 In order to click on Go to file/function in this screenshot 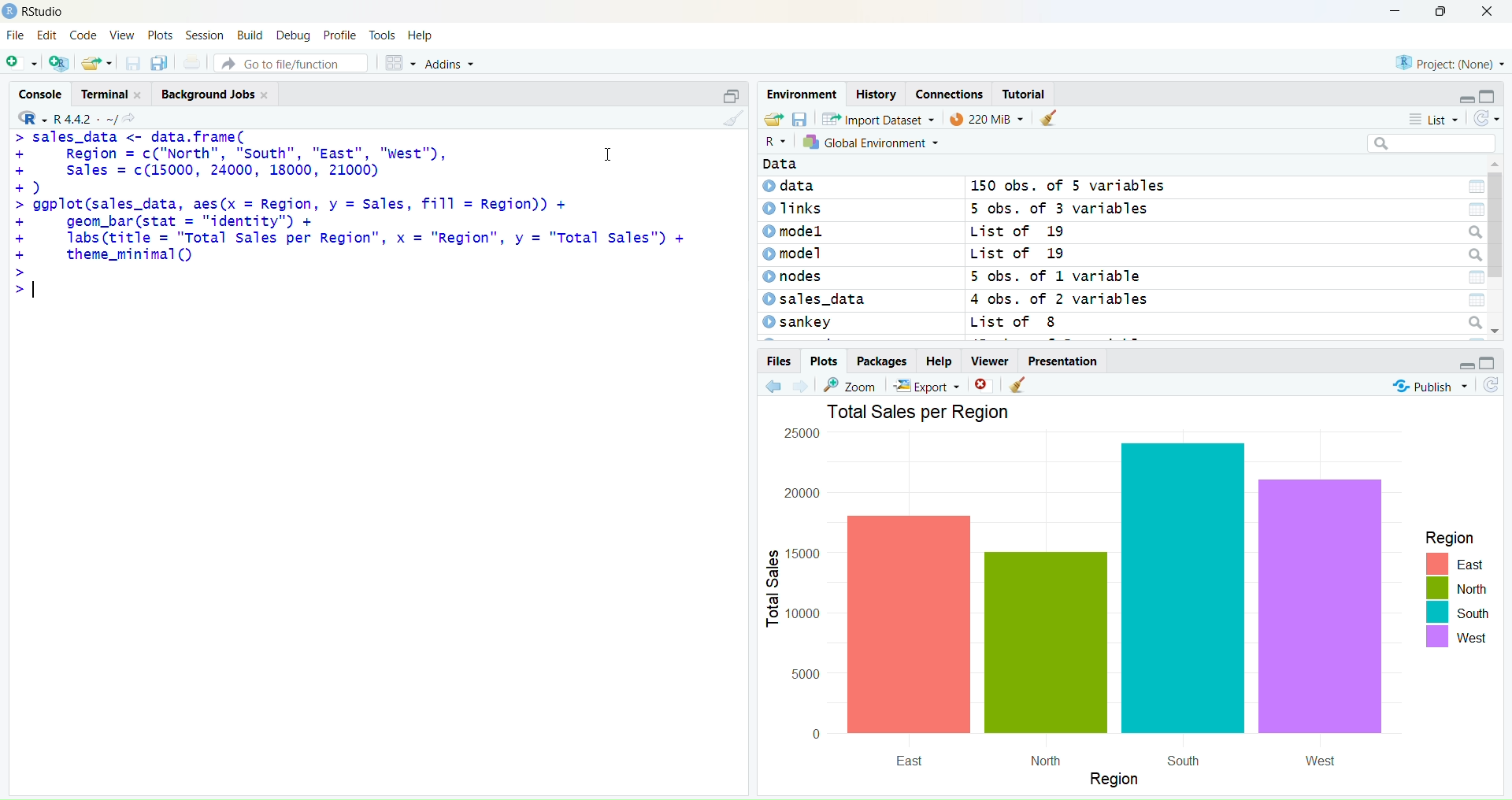, I will do `click(290, 61)`.